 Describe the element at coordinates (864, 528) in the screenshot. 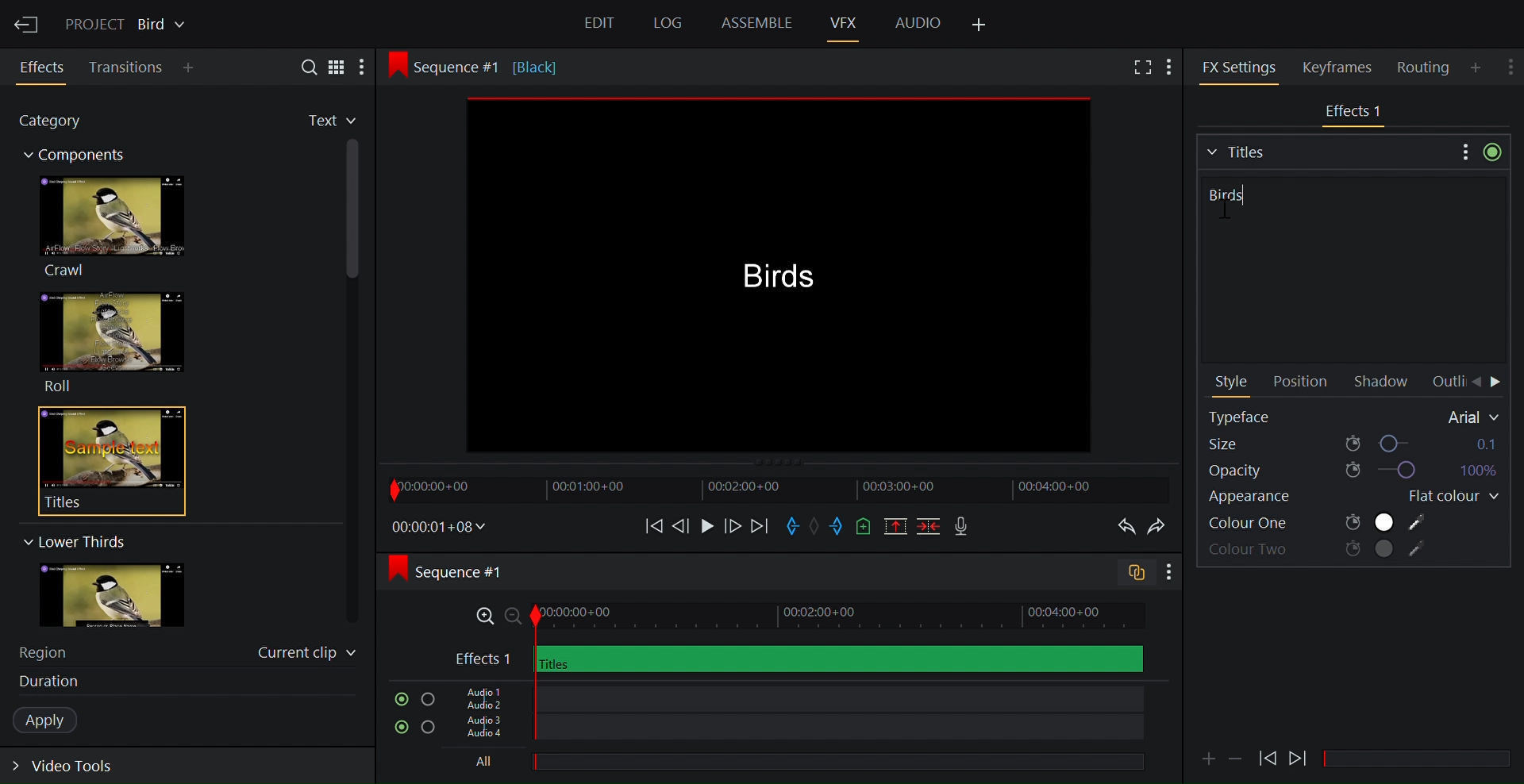

I see `Add a cue` at that location.